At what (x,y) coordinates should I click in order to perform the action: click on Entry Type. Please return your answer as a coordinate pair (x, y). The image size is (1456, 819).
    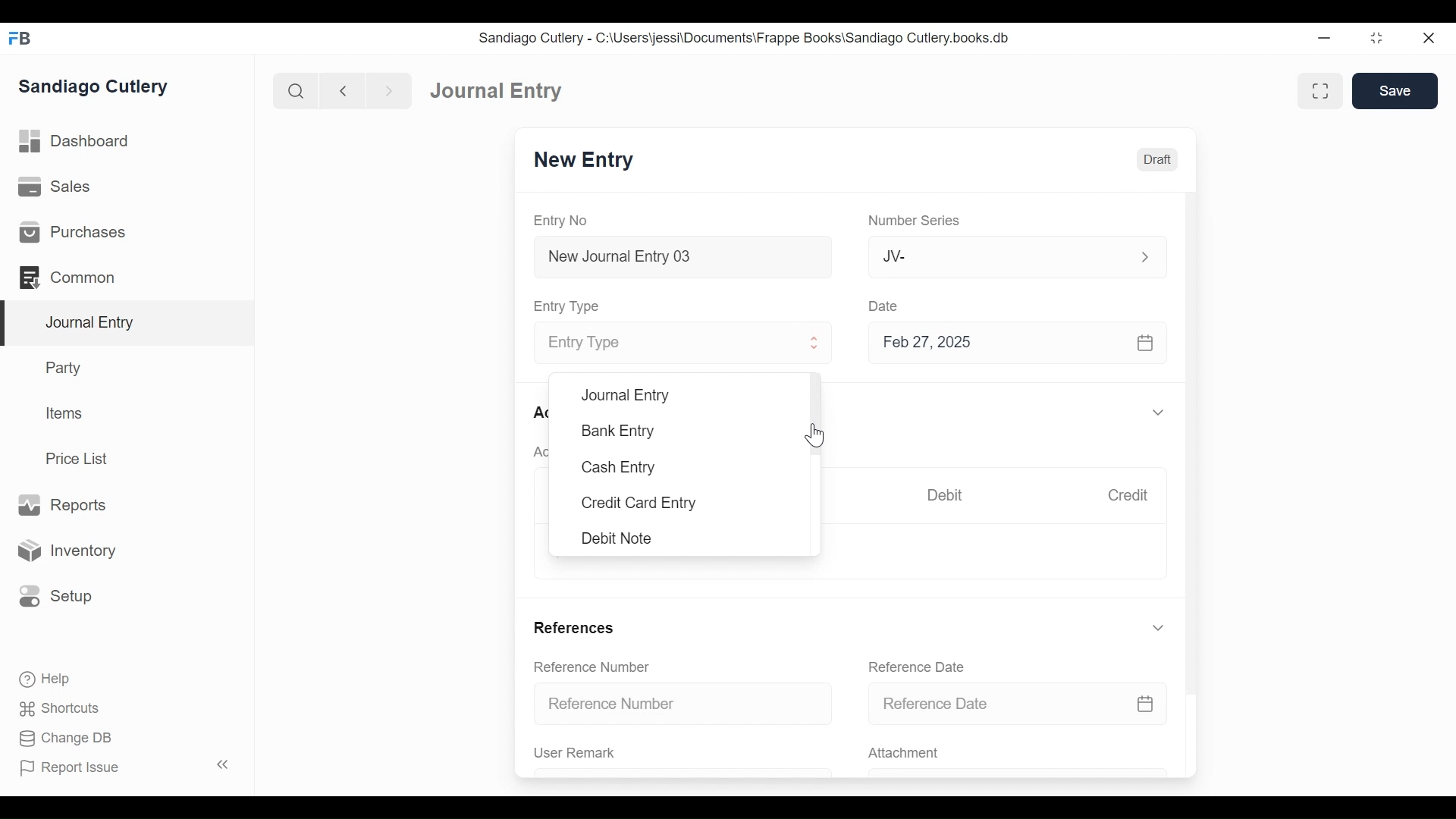
    Looking at the image, I should click on (663, 343).